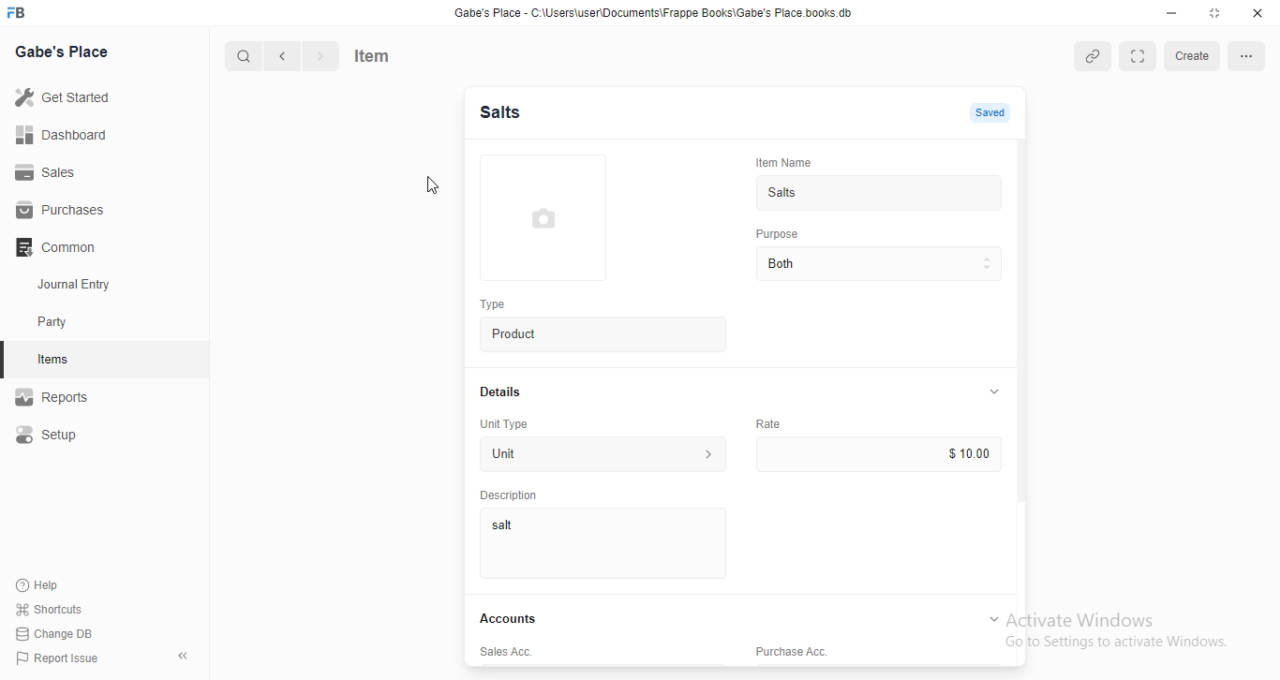 Image resolution: width=1280 pixels, height=680 pixels. Describe the element at coordinates (791, 652) in the screenshot. I see `Purchase Acc.` at that location.